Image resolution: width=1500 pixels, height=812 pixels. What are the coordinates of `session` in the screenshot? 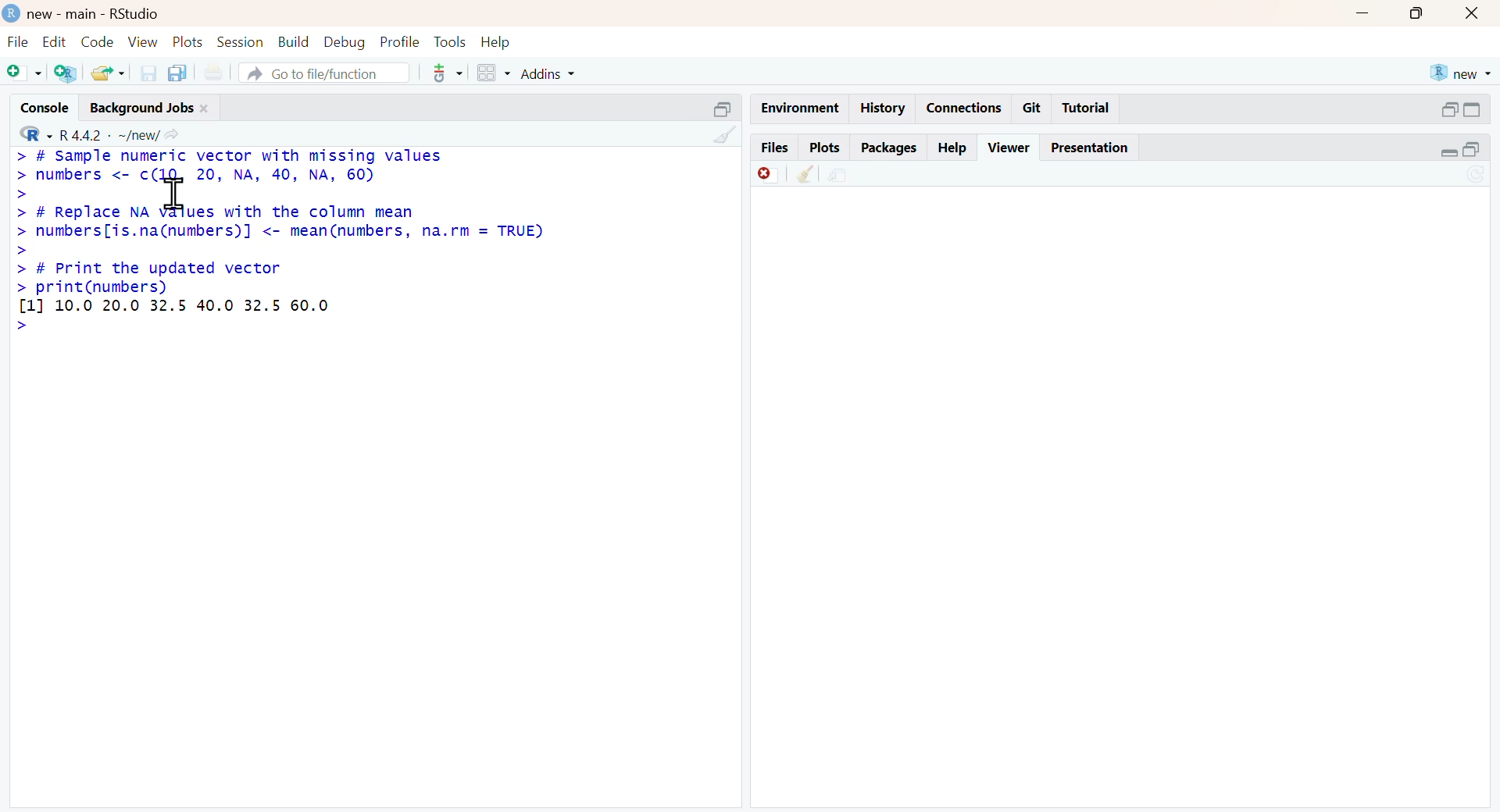 It's located at (241, 42).